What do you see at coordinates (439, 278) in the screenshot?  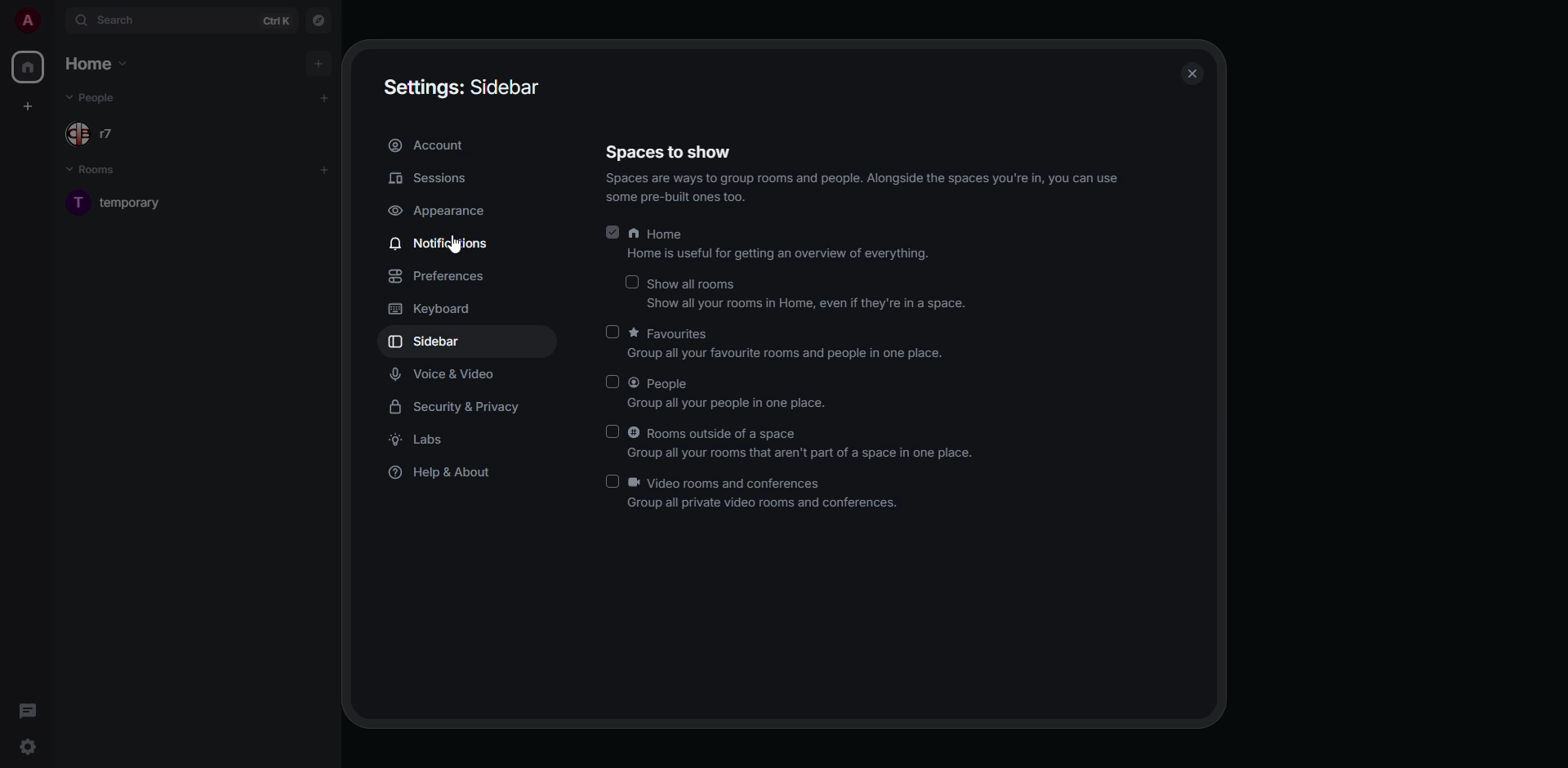 I see `preferences` at bounding box center [439, 278].